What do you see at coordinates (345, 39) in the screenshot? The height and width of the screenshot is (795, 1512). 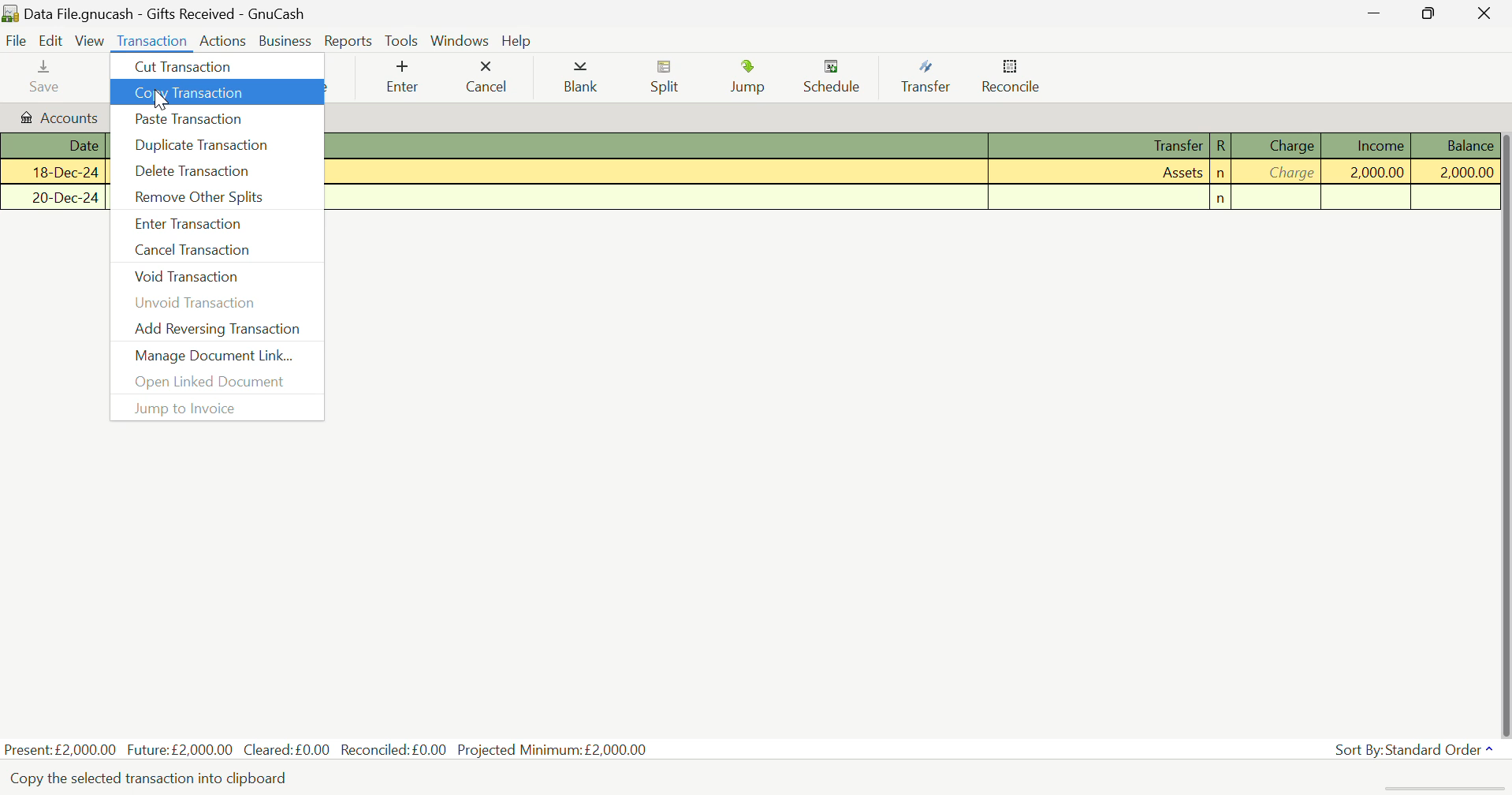 I see `Reports` at bounding box center [345, 39].